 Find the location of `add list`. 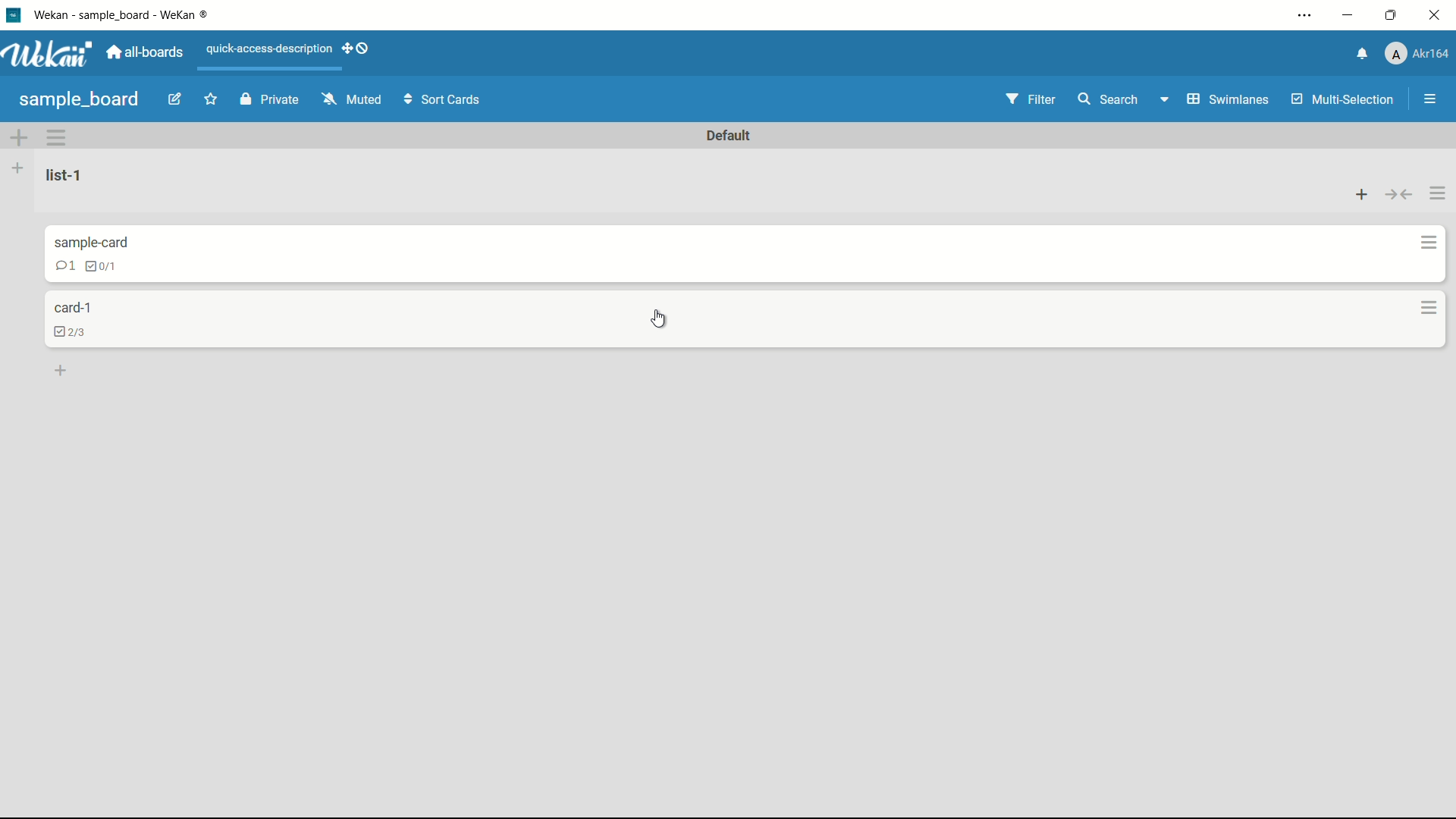

add list is located at coordinates (17, 168).